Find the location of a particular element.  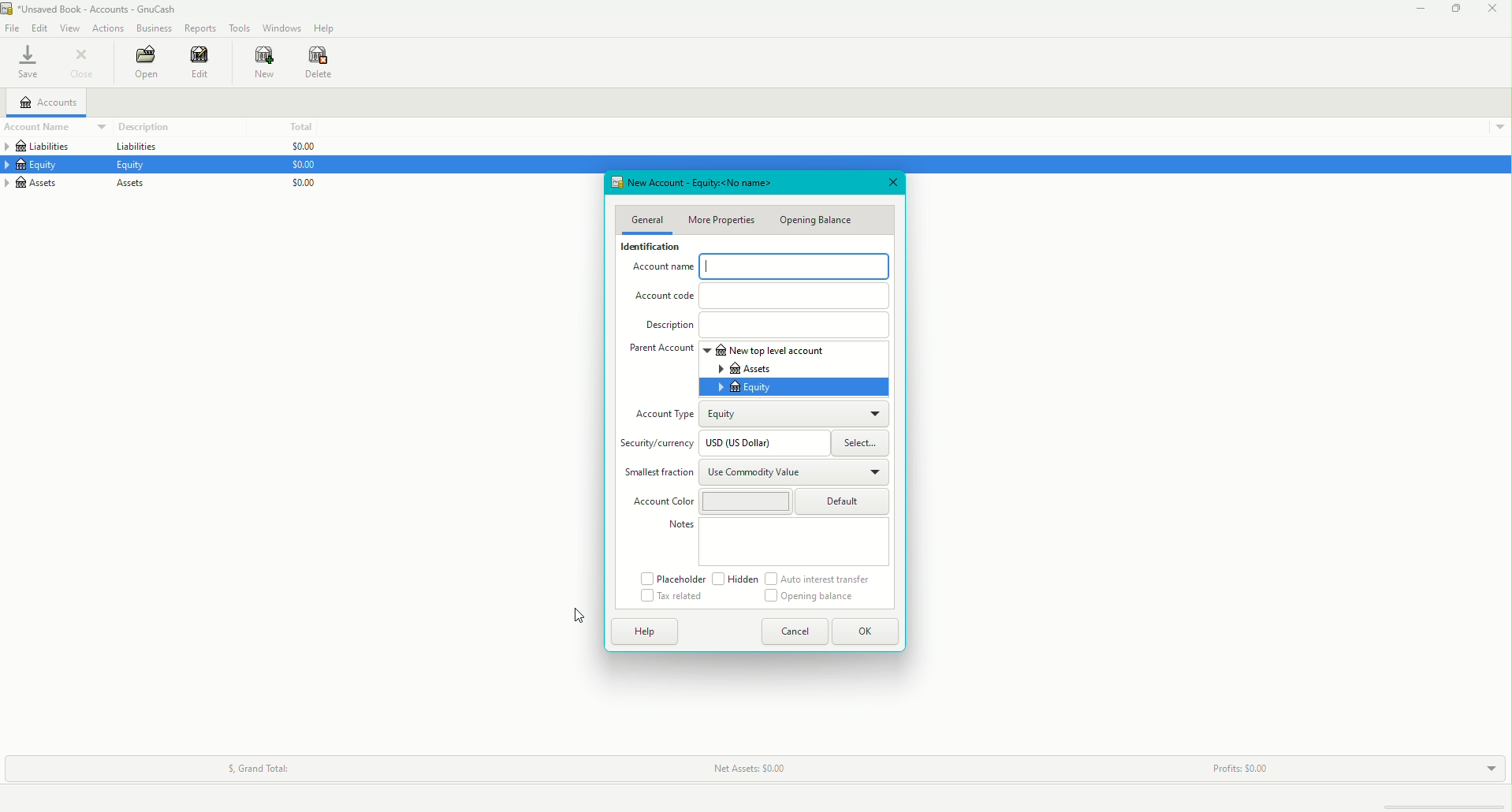

Select is located at coordinates (859, 443).